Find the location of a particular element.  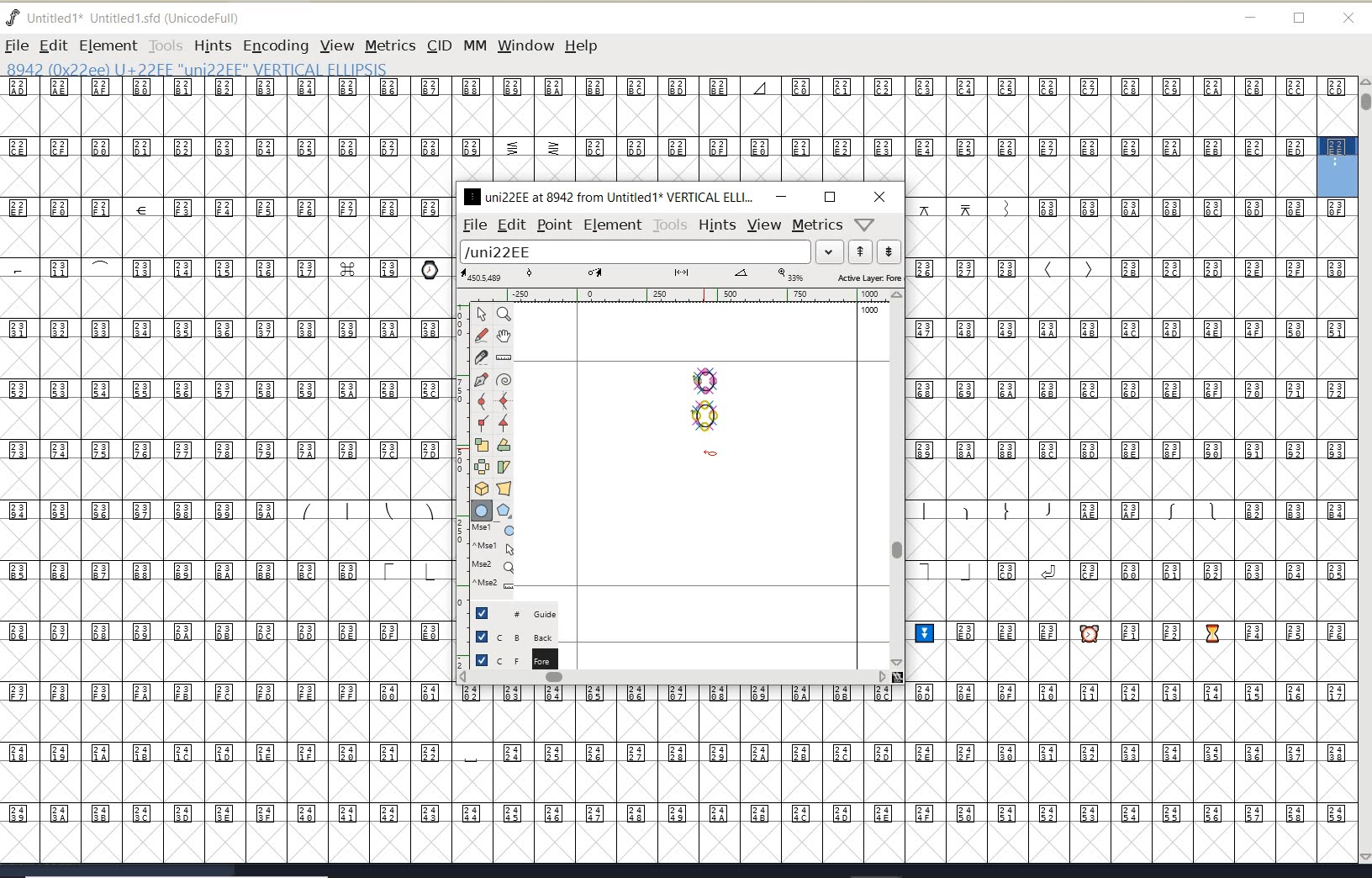

change whether spiro is active or not is located at coordinates (504, 382).